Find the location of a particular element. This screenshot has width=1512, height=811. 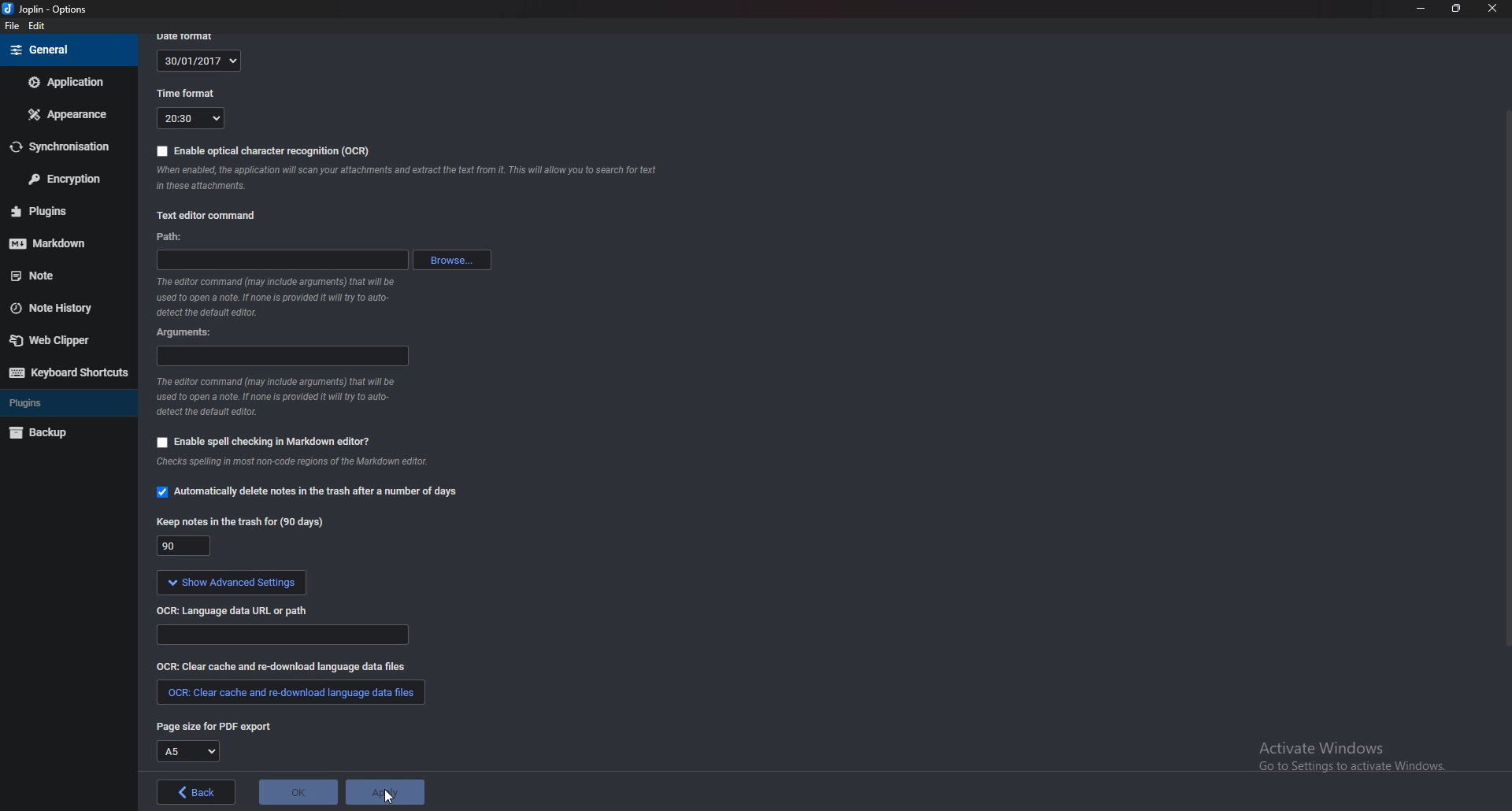

cursor is located at coordinates (388, 796).